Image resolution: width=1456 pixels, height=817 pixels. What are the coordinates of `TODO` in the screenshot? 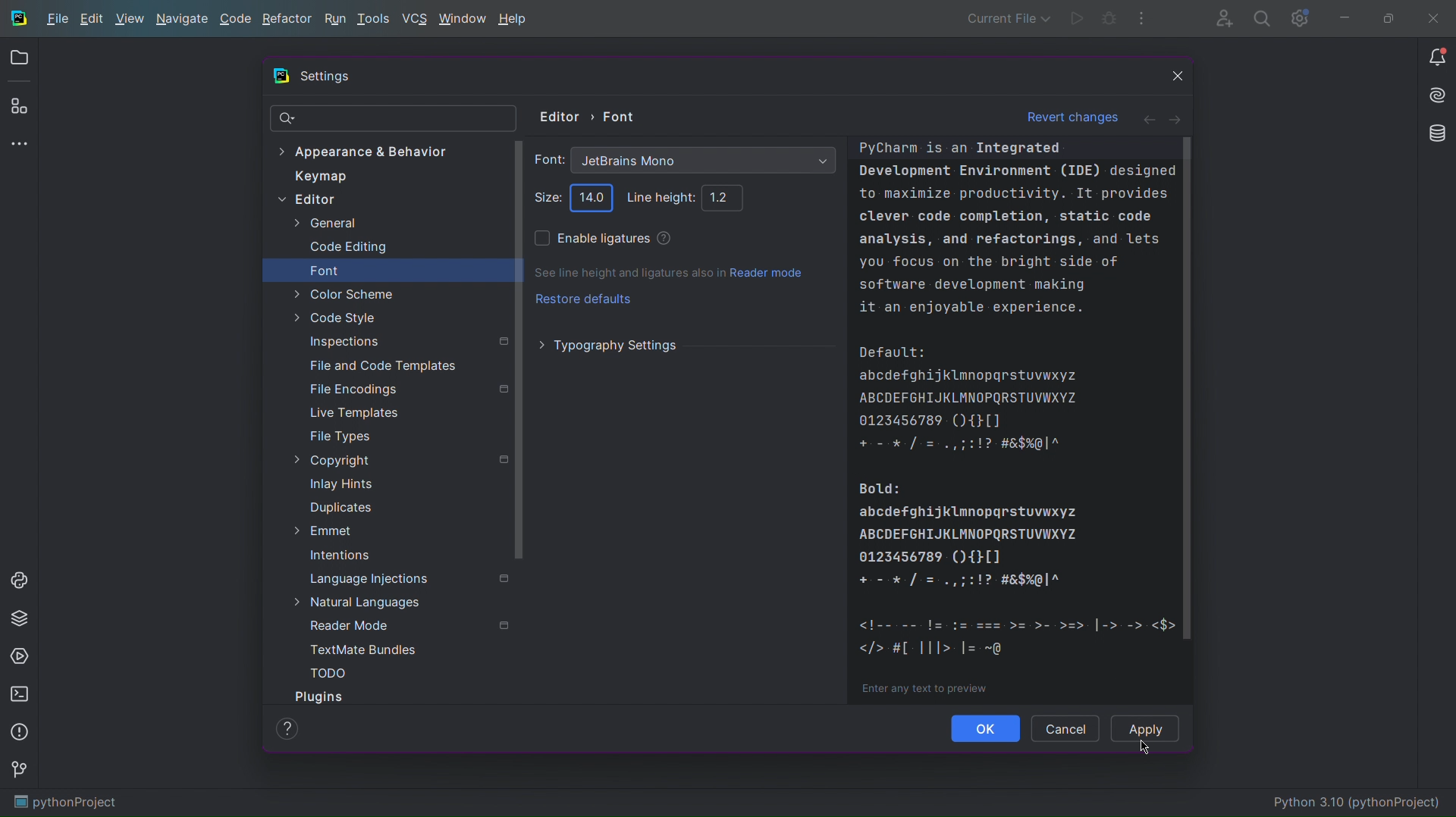 It's located at (328, 672).